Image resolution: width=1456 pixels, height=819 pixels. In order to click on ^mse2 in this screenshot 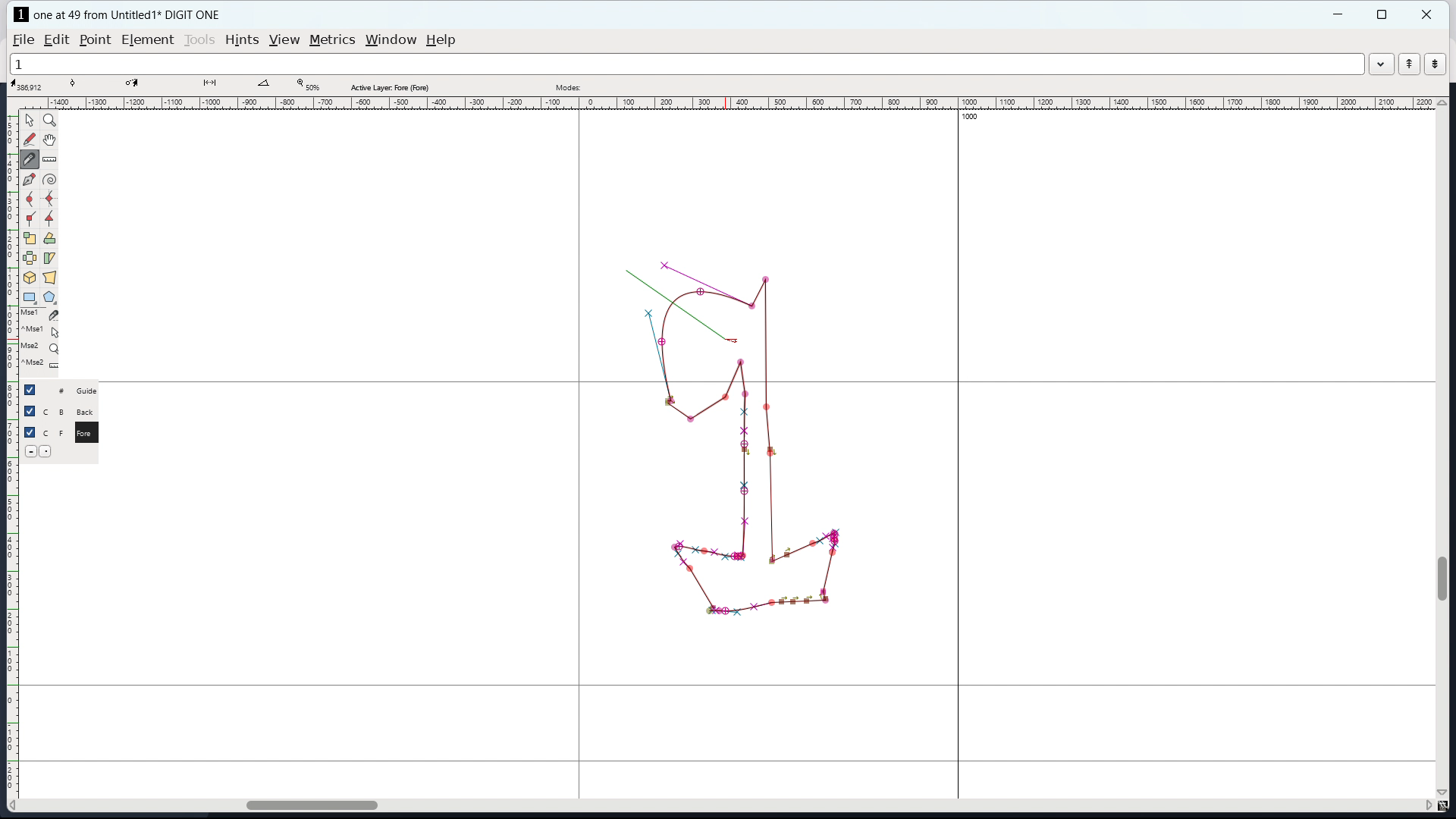, I will do `click(42, 365)`.